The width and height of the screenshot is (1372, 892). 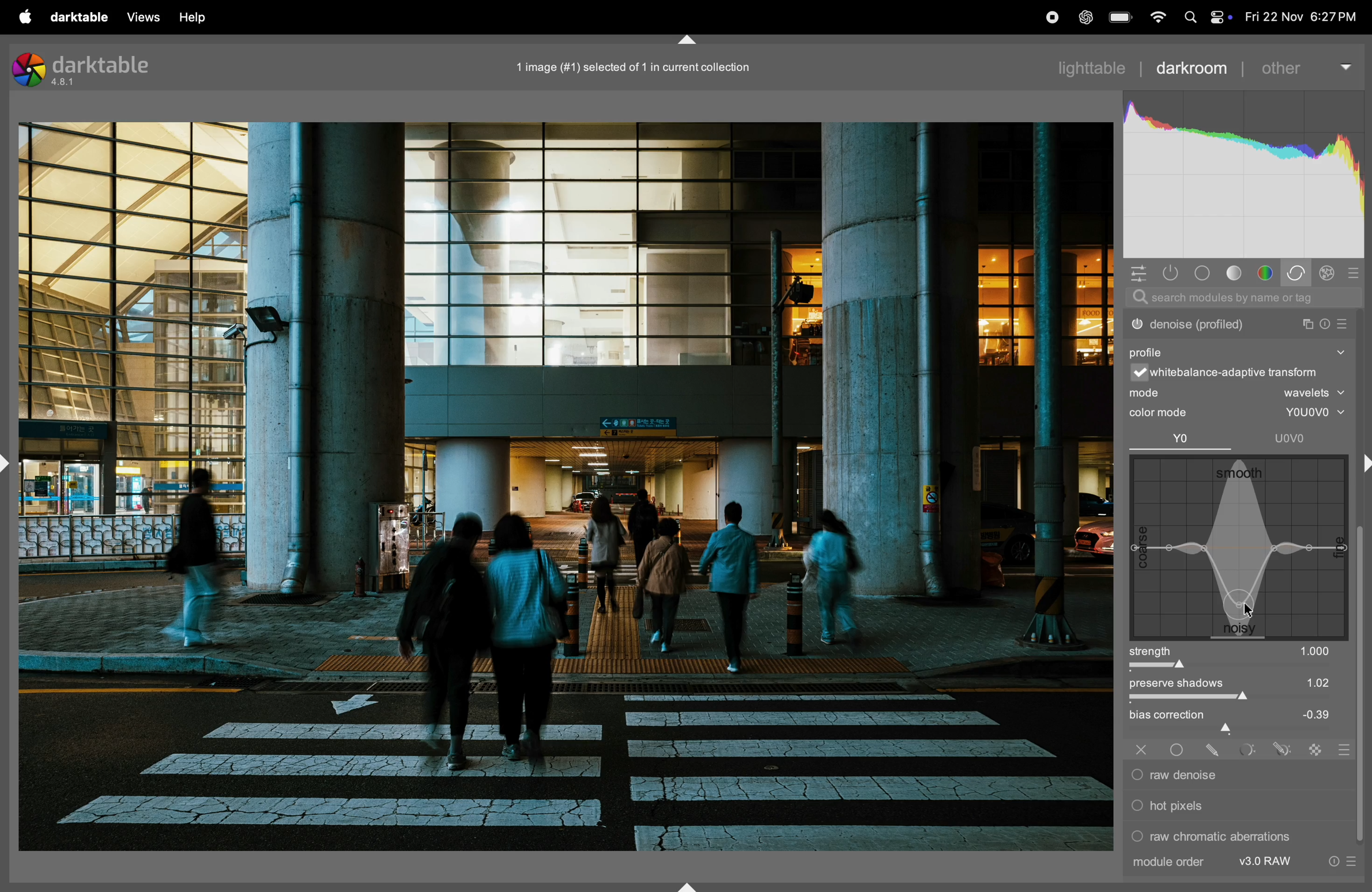 What do you see at coordinates (566, 487) in the screenshot?
I see `Image` at bounding box center [566, 487].